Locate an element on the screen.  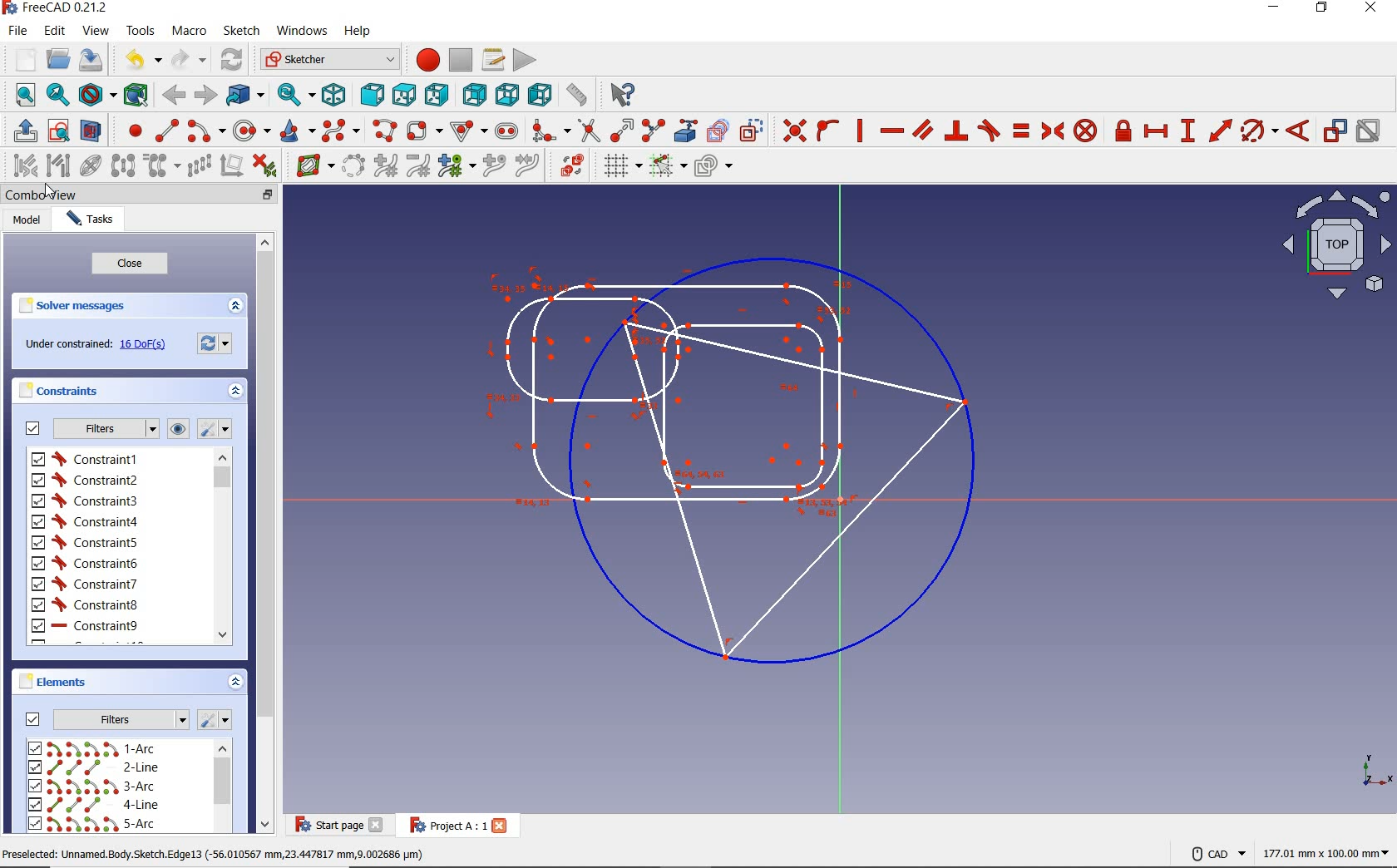
clone is located at coordinates (158, 167).